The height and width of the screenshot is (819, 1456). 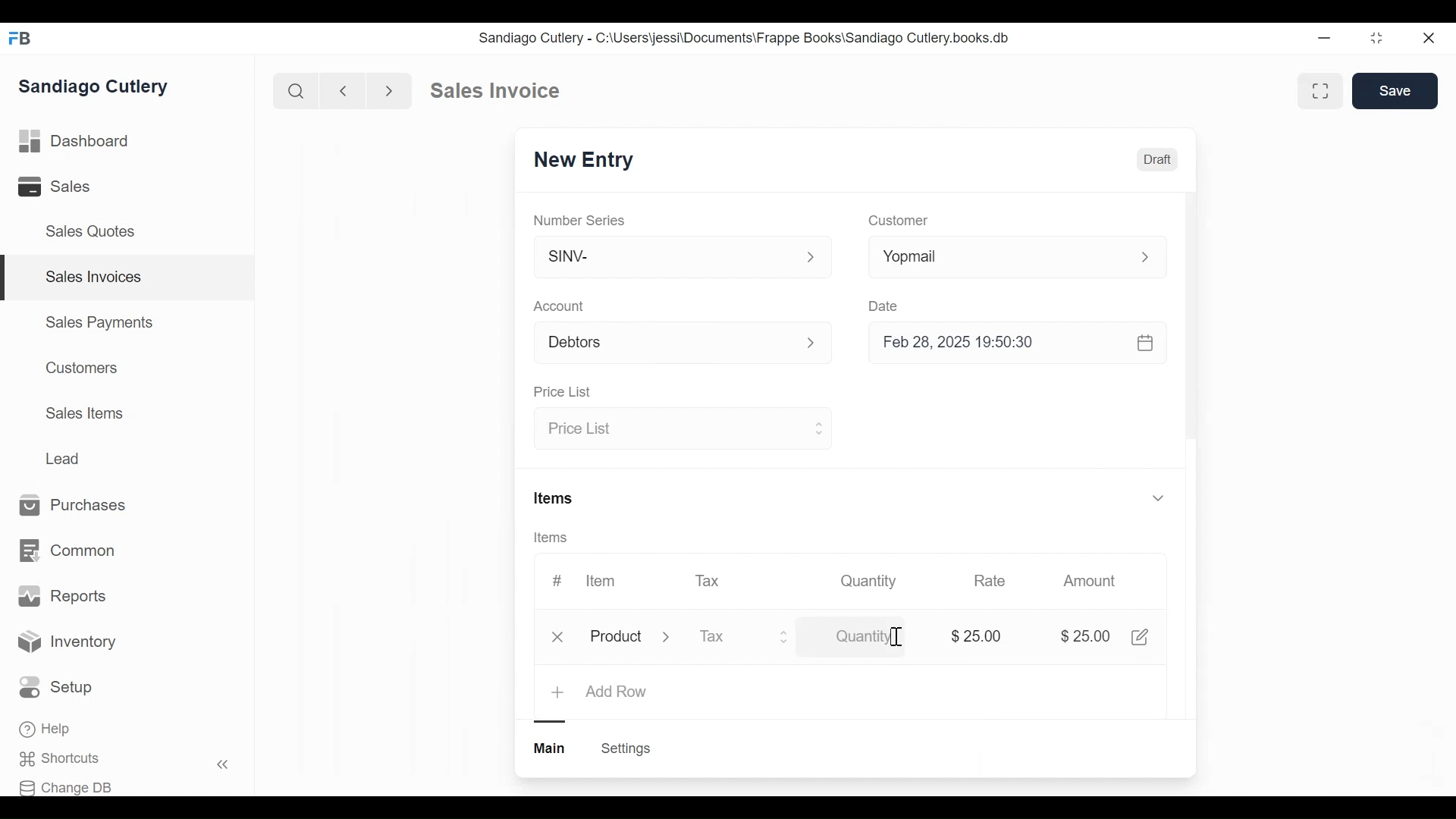 What do you see at coordinates (20, 38) in the screenshot?
I see `FB logo` at bounding box center [20, 38].